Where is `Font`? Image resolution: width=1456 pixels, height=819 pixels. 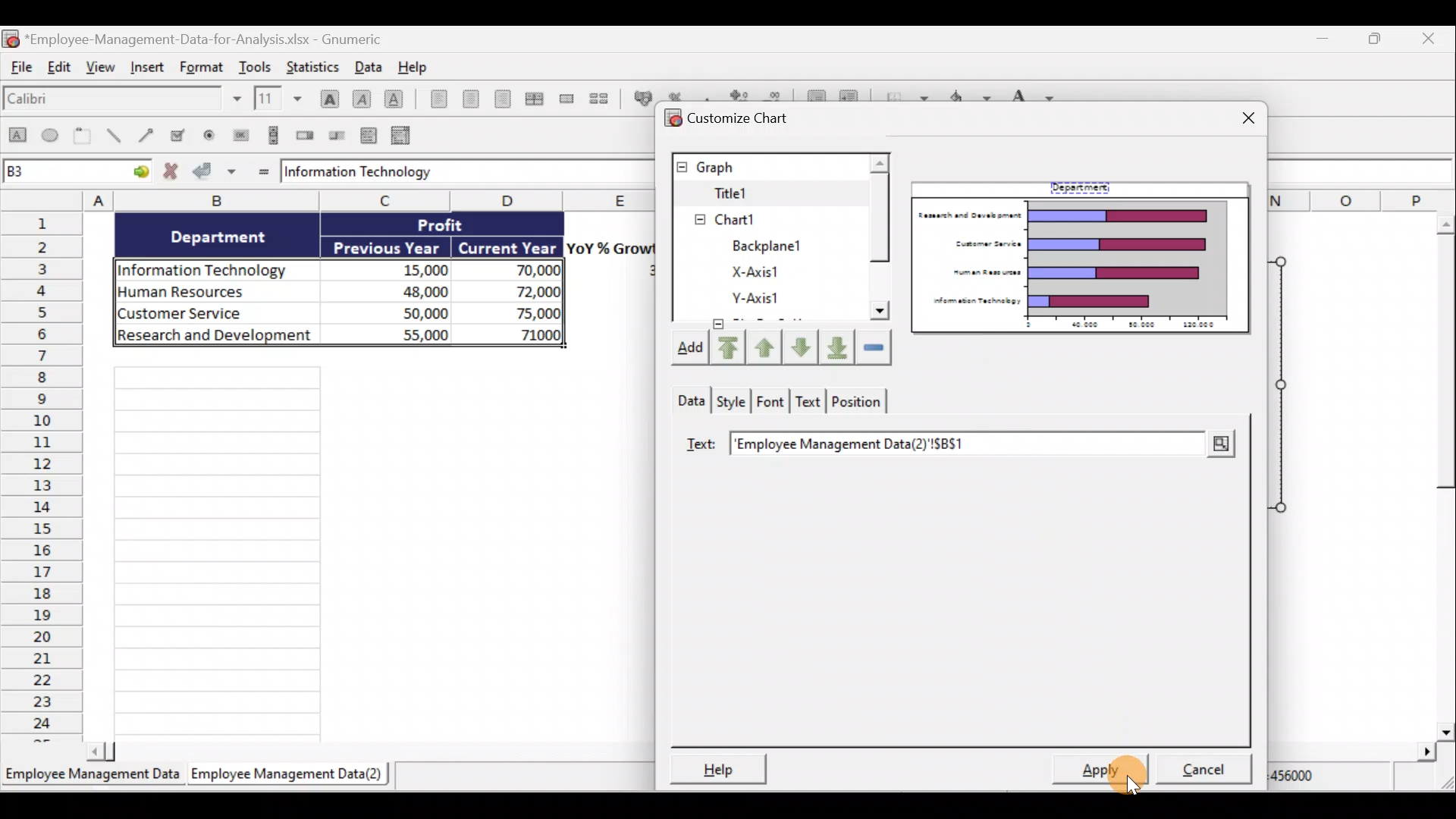
Font is located at coordinates (772, 400).